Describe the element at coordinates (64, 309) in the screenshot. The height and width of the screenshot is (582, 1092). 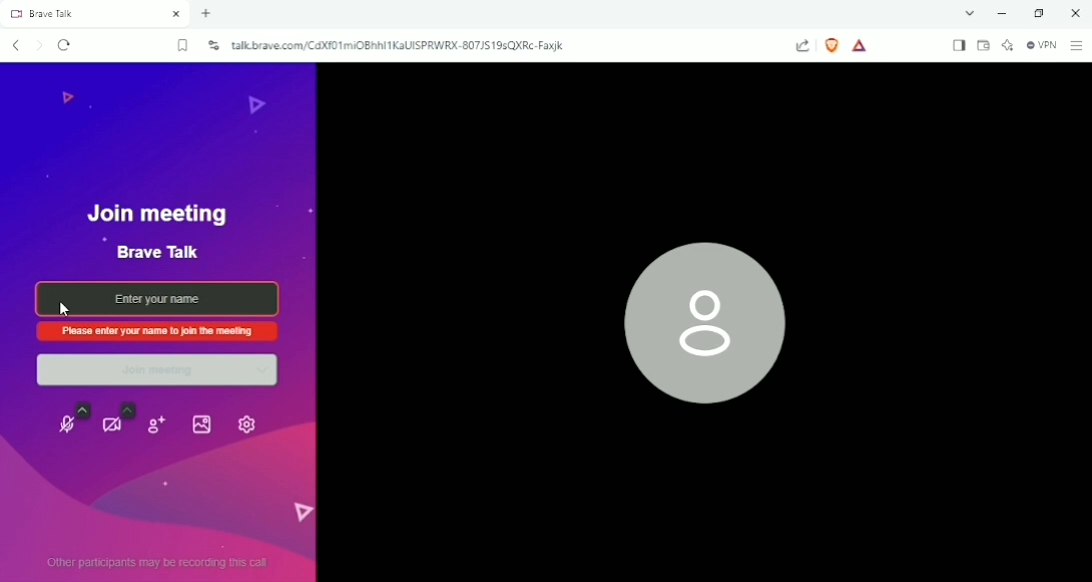
I see `pointer cursor` at that location.